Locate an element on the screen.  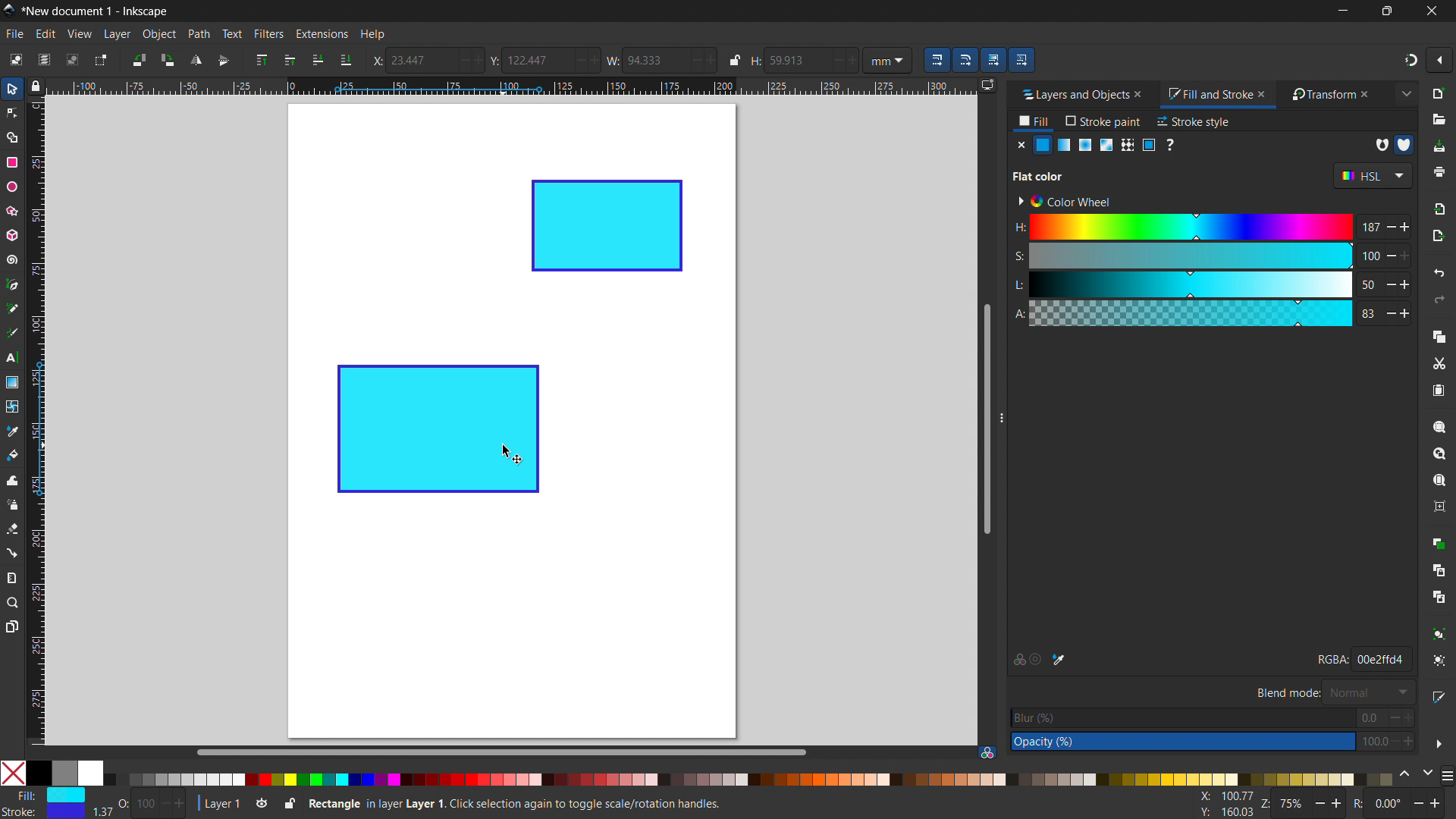
text tool is located at coordinates (12, 359).